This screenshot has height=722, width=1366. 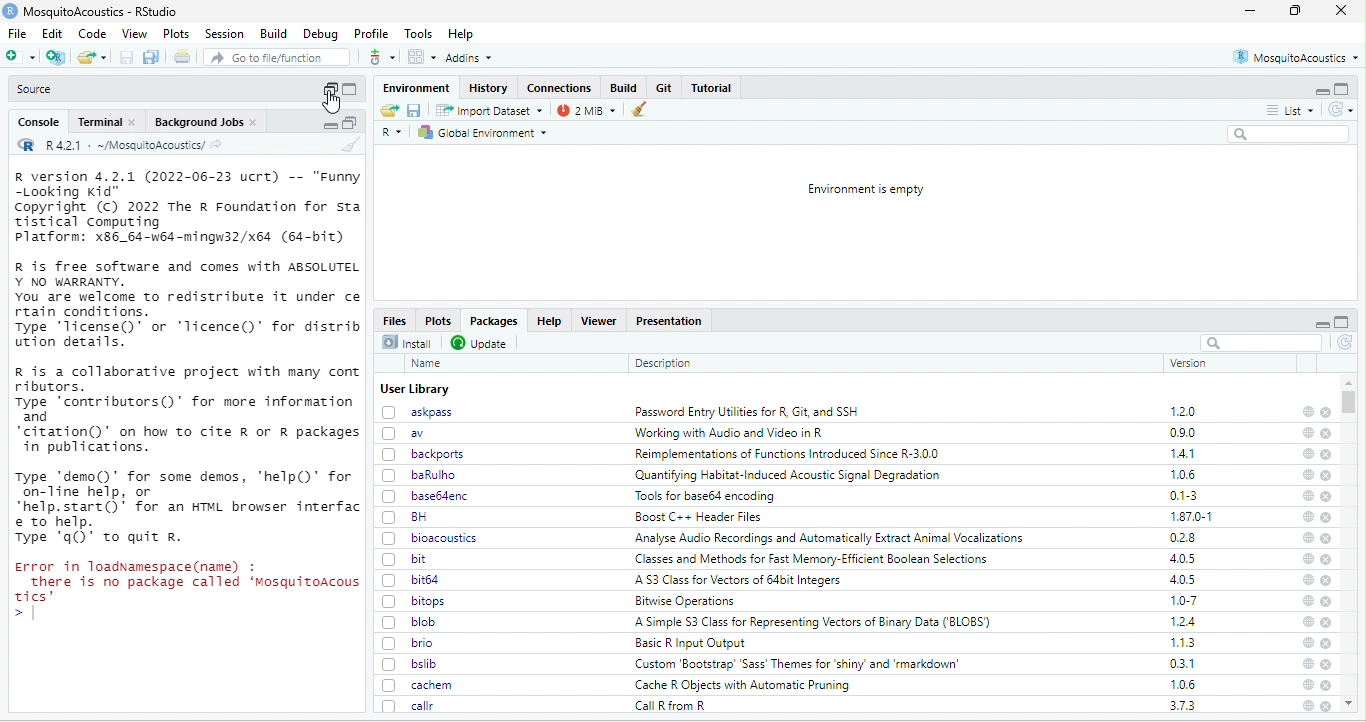 I want to click on 3.7.3, so click(x=1183, y=705).